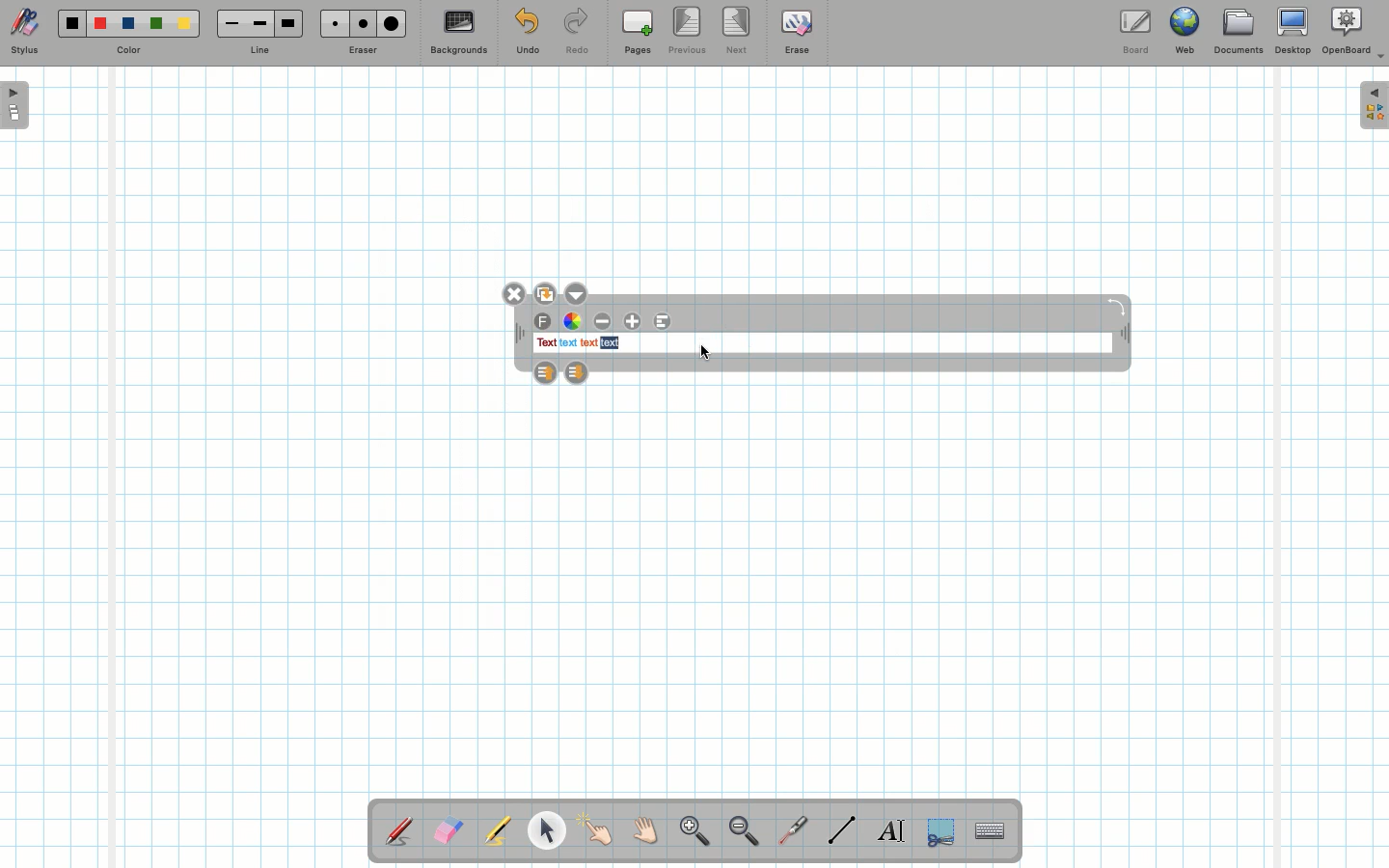 The height and width of the screenshot is (868, 1389). I want to click on Selection, so click(939, 829).